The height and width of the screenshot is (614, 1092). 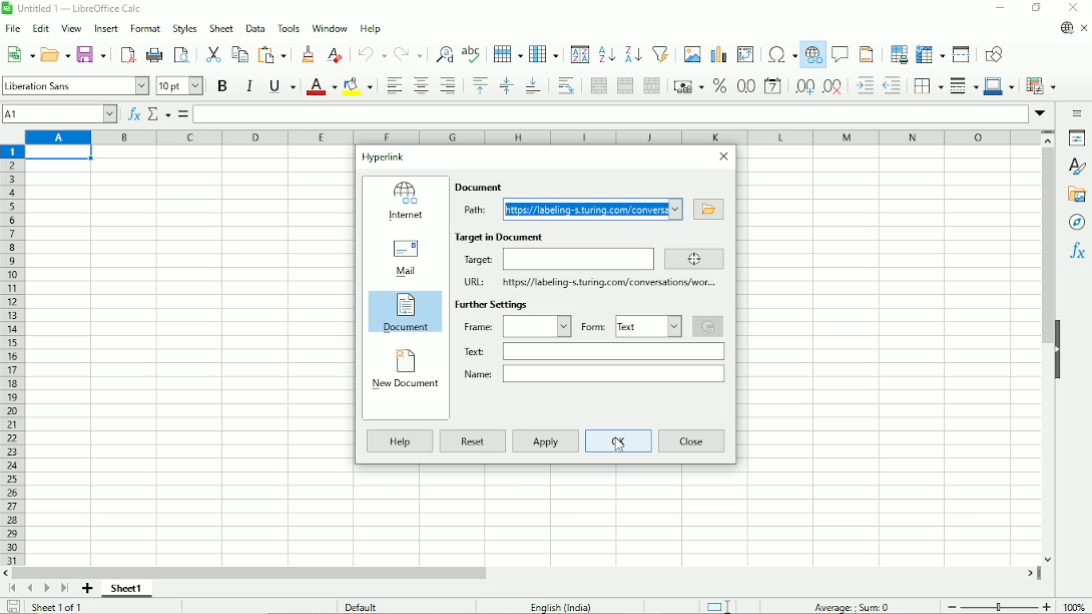 What do you see at coordinates (652, 85) in the screenshot?
I see `Unmerge cells` at bounding box center [652, 85].